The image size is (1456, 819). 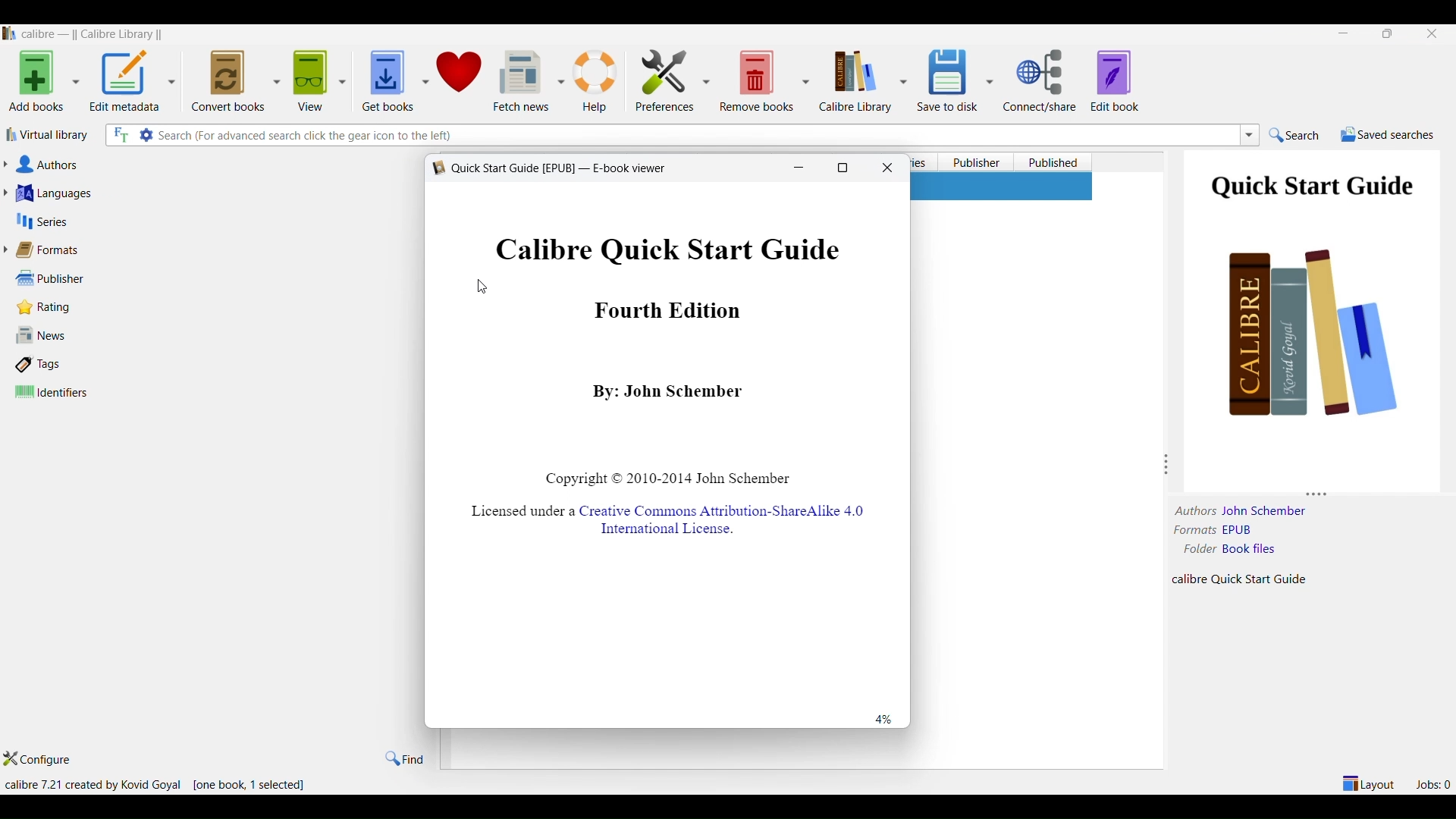 I want to click on search box dropdown button, so click(x=1249, y=137).